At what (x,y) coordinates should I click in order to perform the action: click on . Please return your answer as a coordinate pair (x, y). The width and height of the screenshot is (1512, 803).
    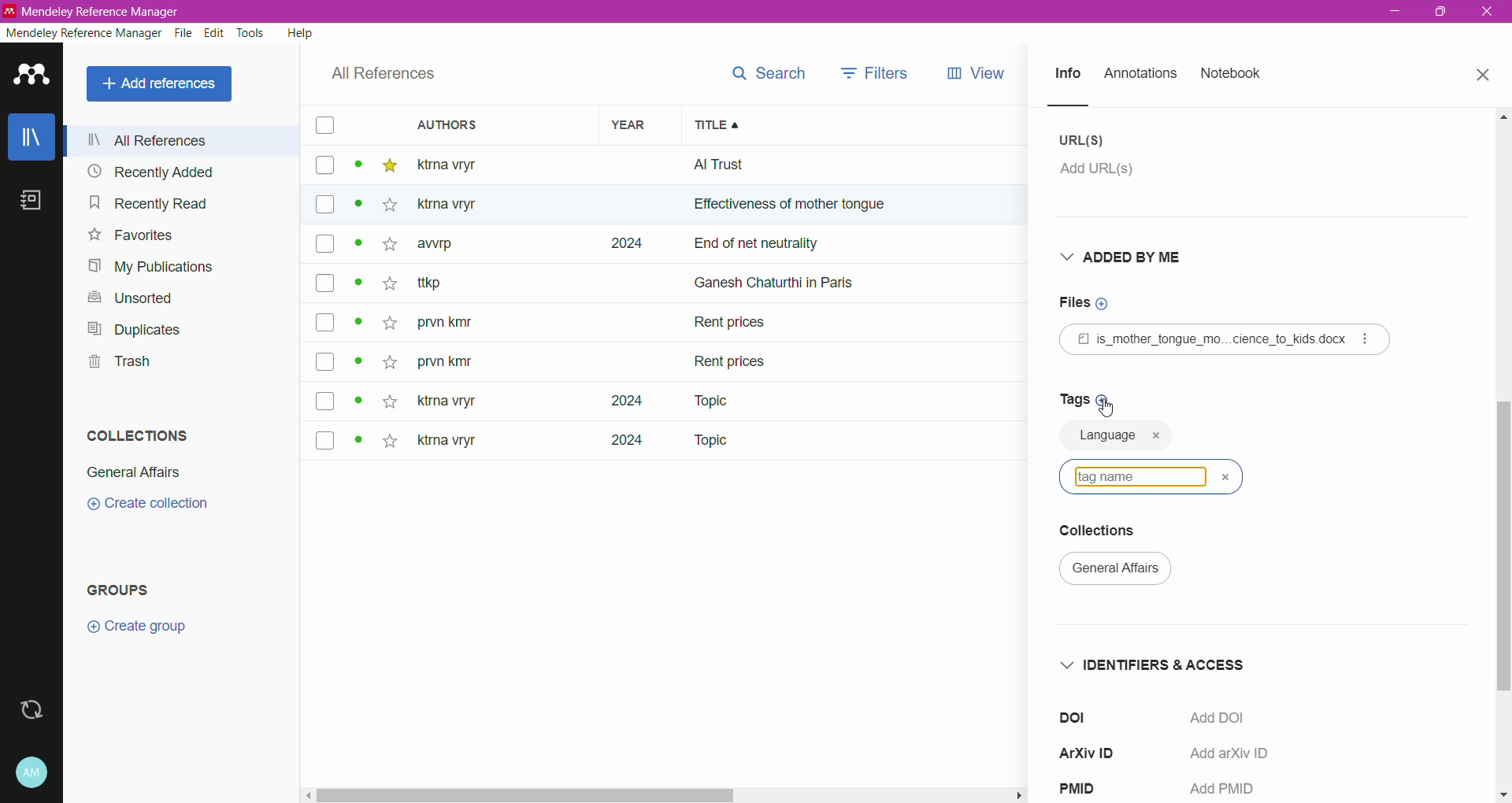
    Looking at the image, I should click on (458, 205).